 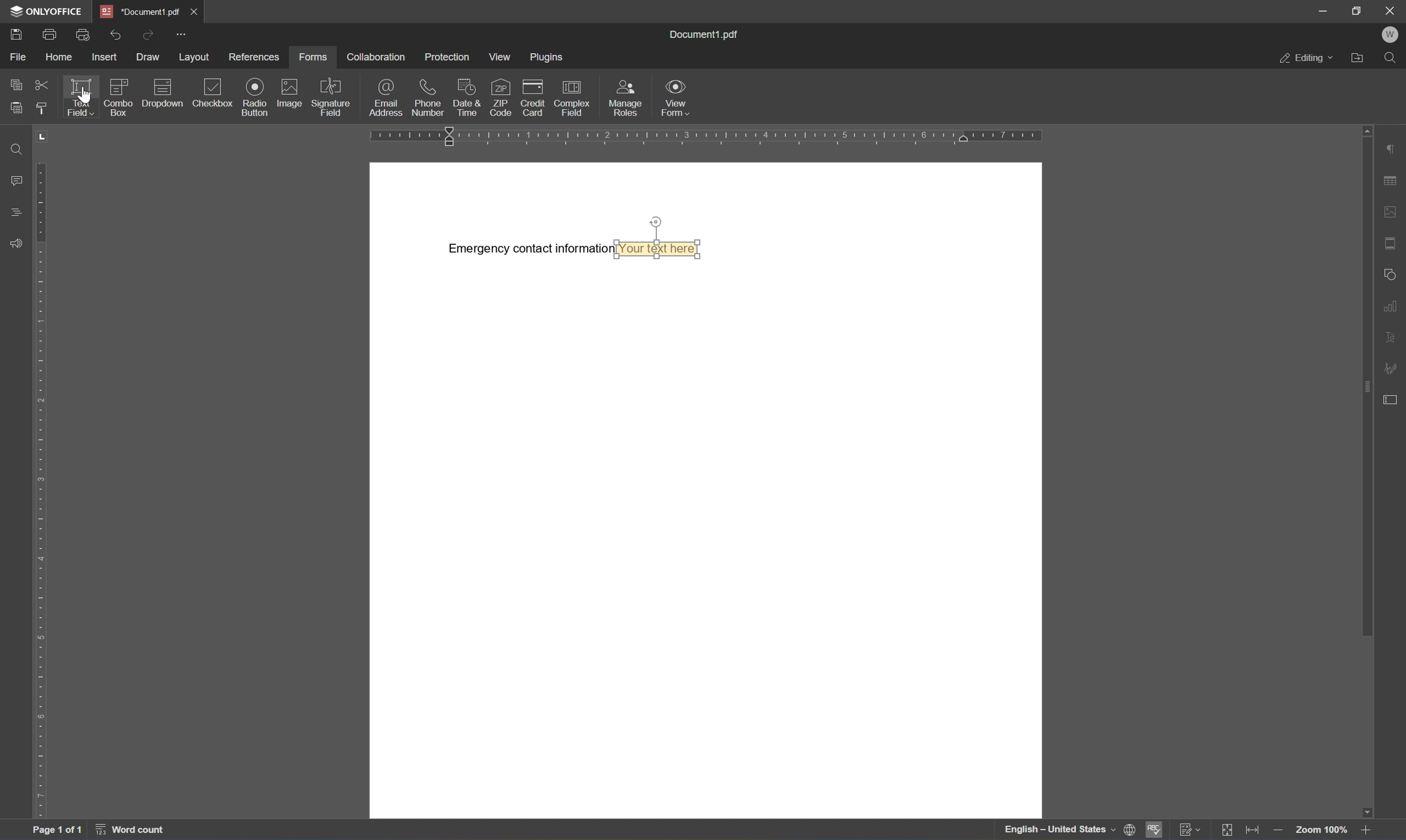 What do you see at coordinates (1258, 830) in the screenshot?
I see `fit to width` at bounding box center [1258, 830].